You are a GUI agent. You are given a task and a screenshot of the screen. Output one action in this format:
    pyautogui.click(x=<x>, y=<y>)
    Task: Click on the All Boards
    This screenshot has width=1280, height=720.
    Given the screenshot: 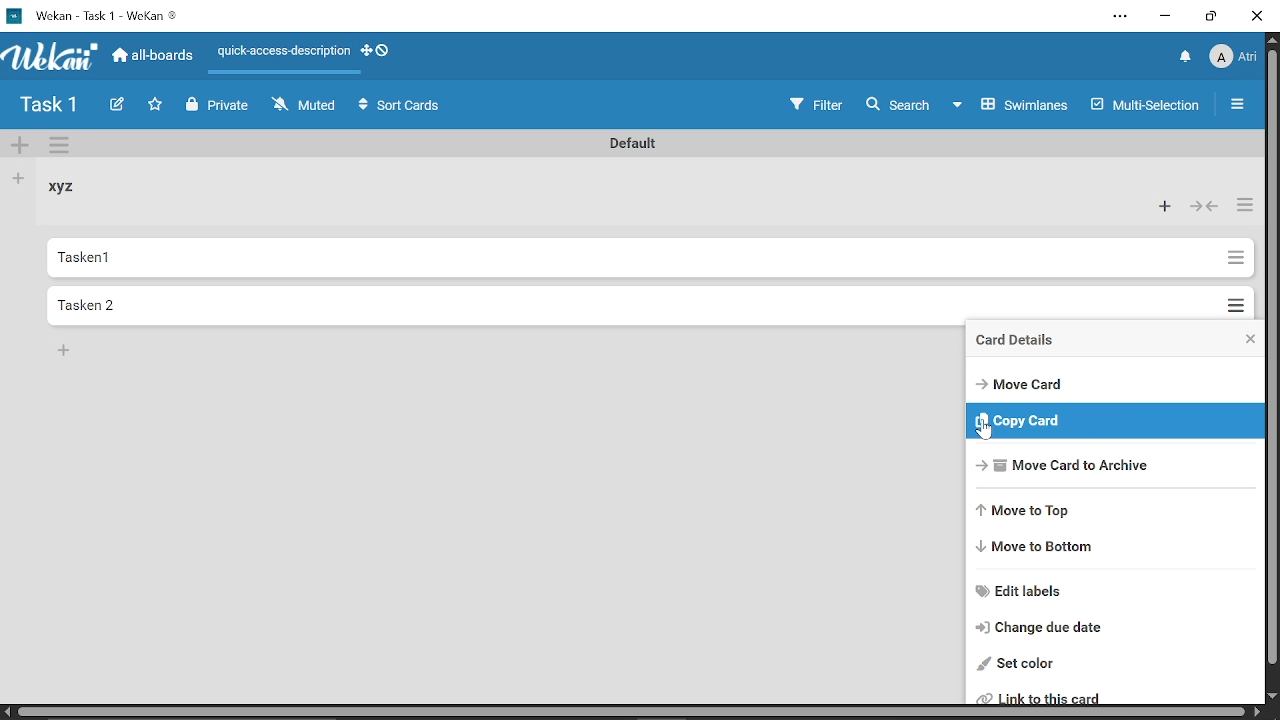 What is the action you would take?
    pyautogui.click(x=153, y=58)
    